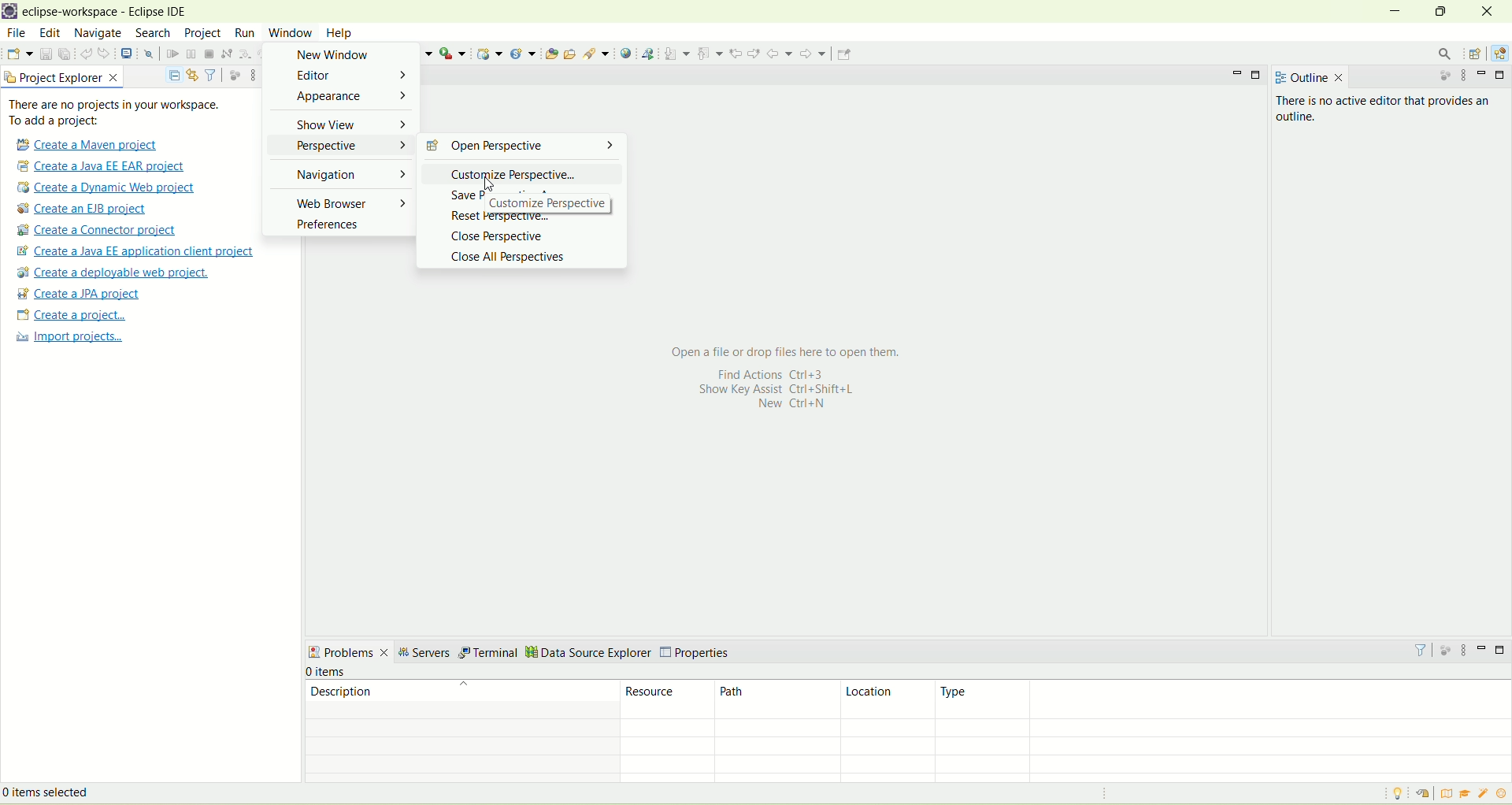  What do you see at coordinates (246, 32) in the screenshot?
I see `run` at bounding box center [246, 32].